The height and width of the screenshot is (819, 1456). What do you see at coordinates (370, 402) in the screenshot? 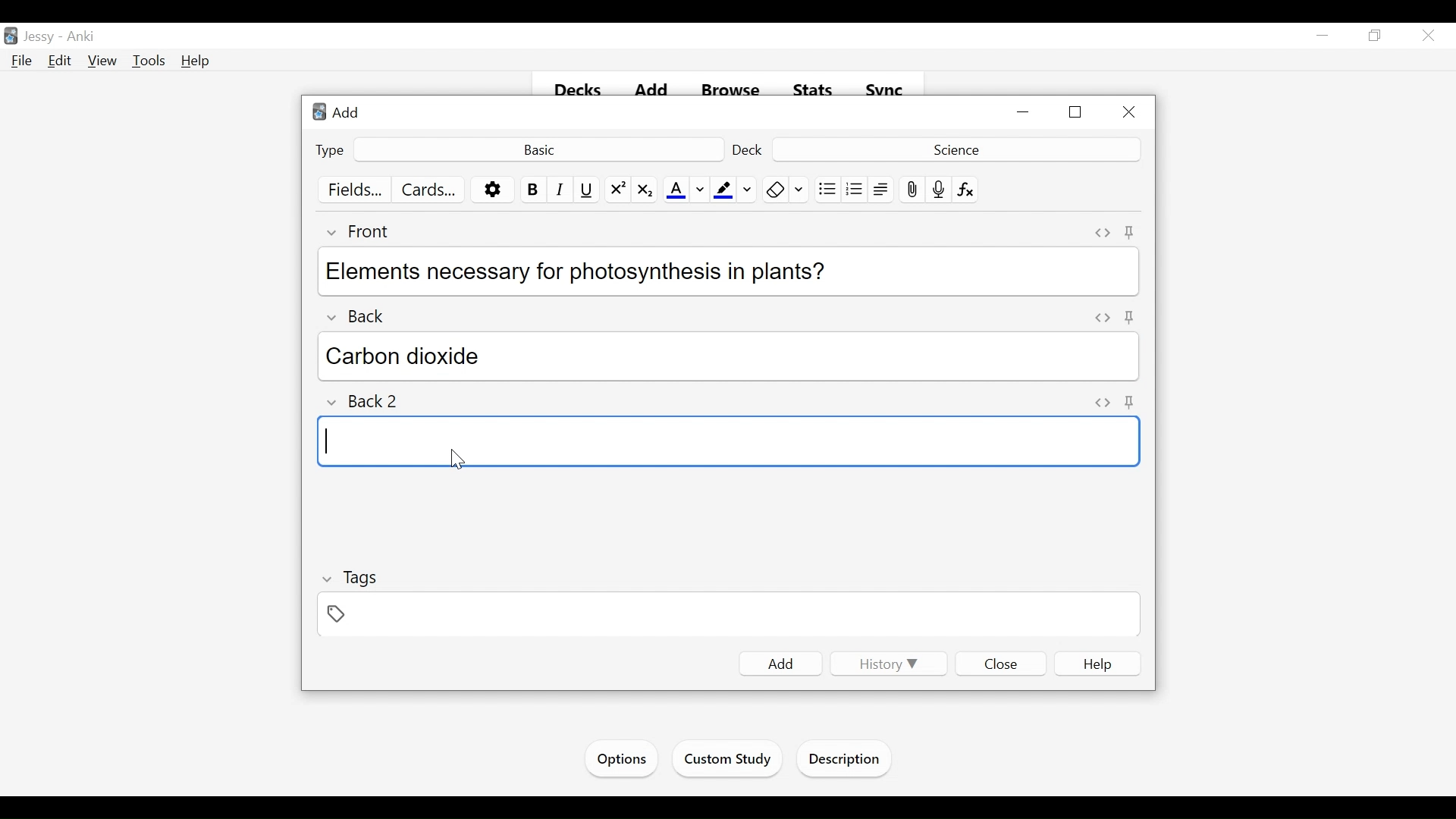
I see `Back 2` at bounding box center [370, 402].